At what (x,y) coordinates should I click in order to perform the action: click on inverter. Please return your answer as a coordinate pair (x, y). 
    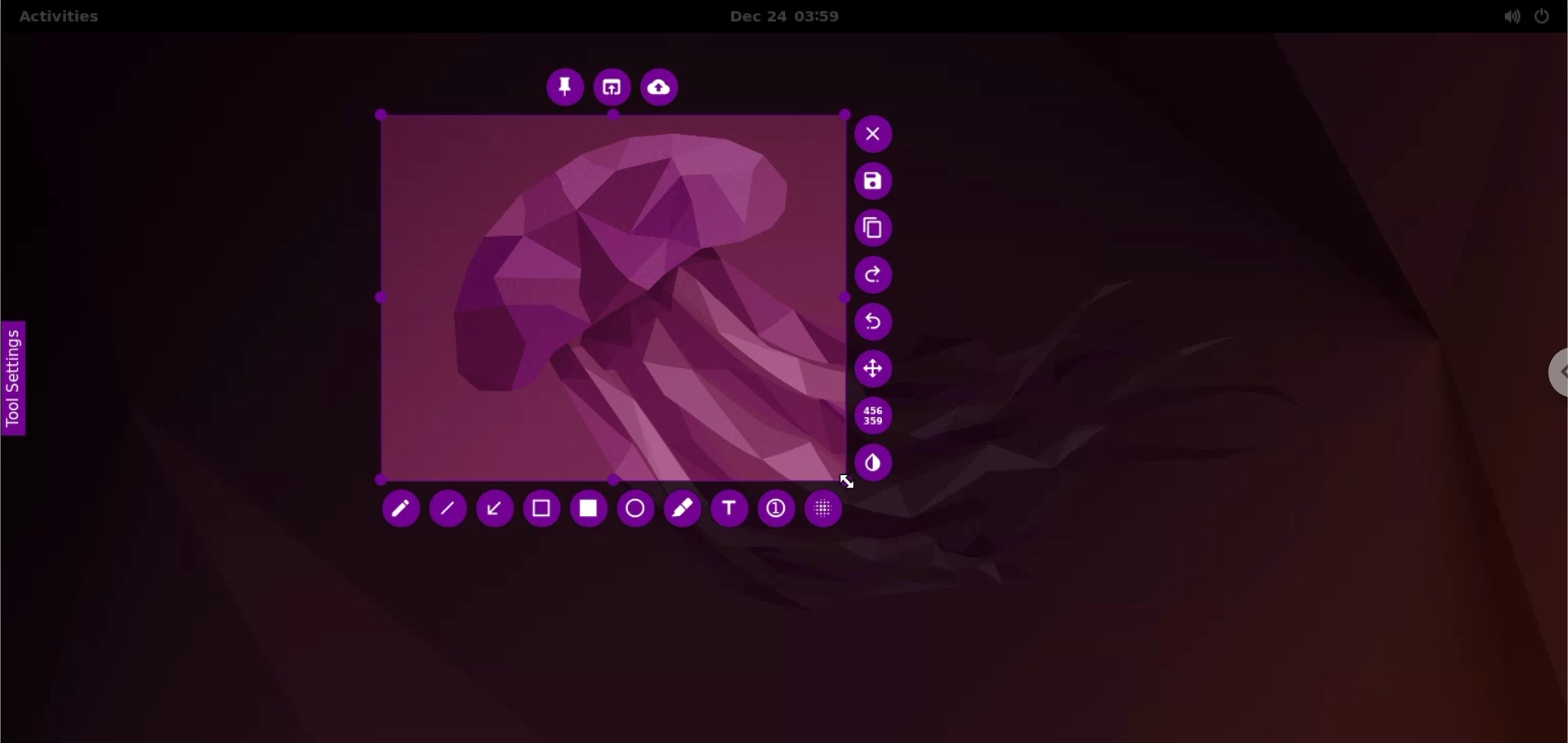
    Looking at the image, I should click on (880, 462).